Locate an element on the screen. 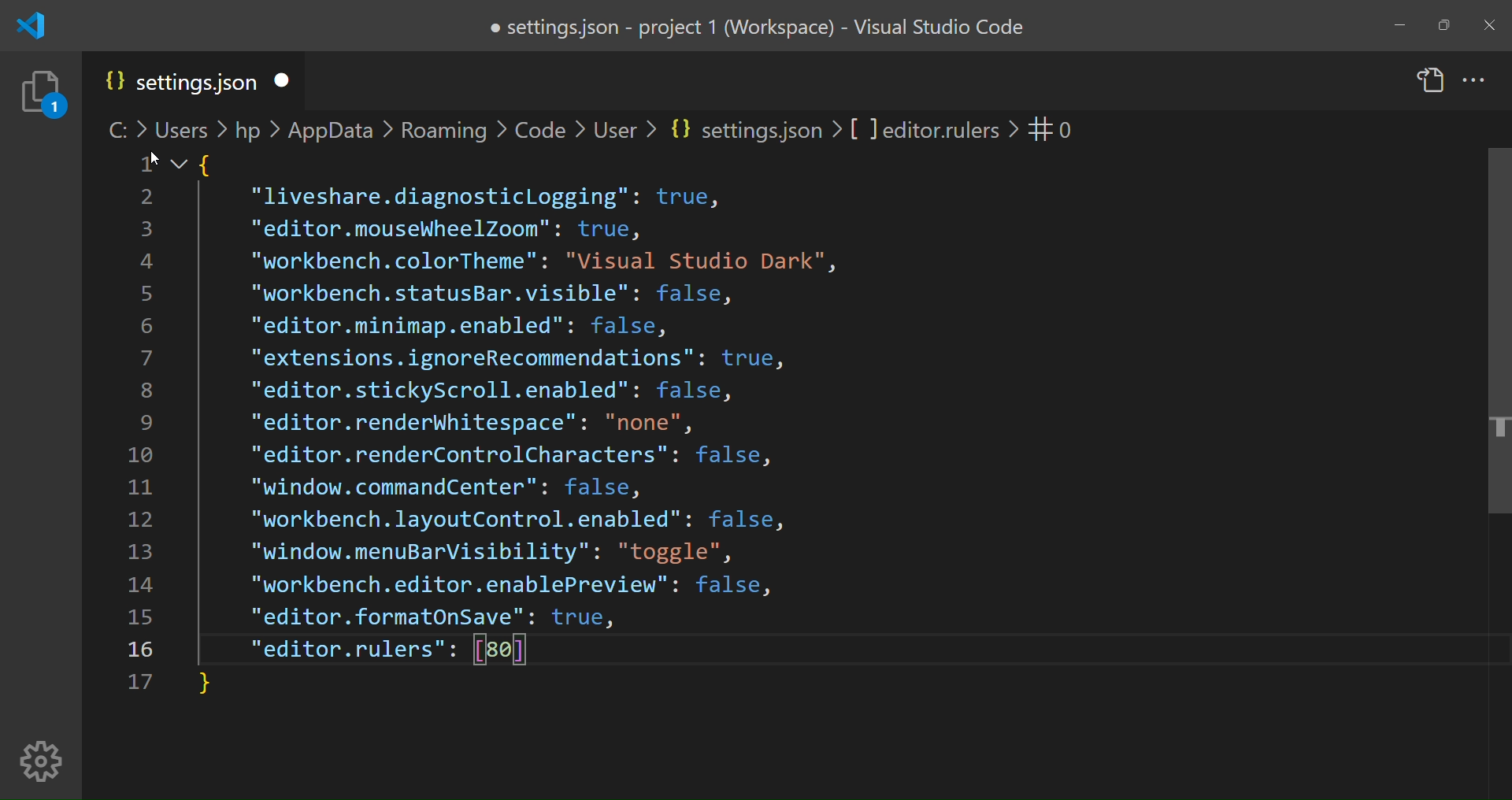 Image resolution: width=1512 pixels, height=800 pixels. close is located at coordinates (1492, 27).